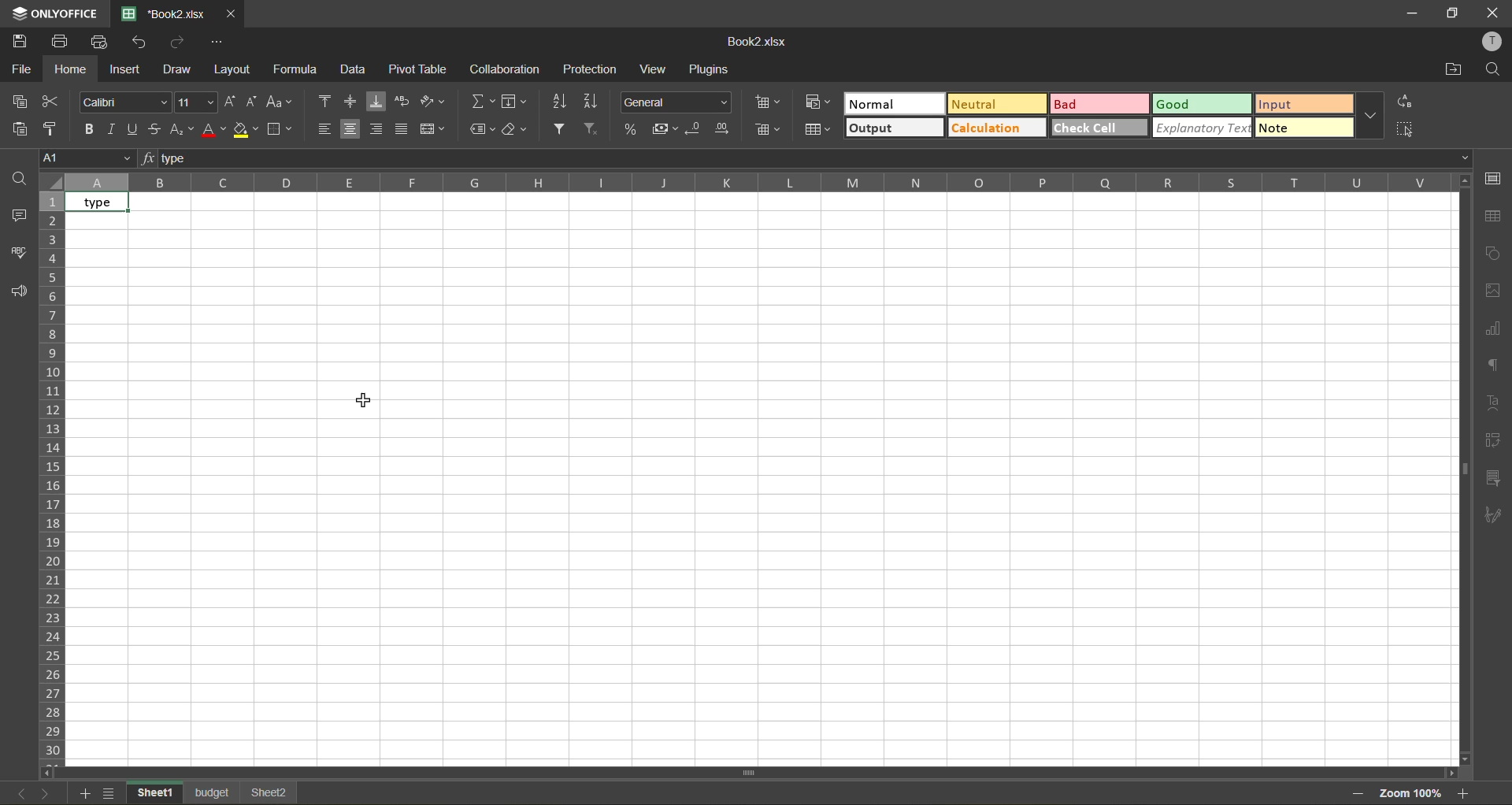  Describe the element at coordinates (16, 179) in the screenshot. I see `find` at that location.